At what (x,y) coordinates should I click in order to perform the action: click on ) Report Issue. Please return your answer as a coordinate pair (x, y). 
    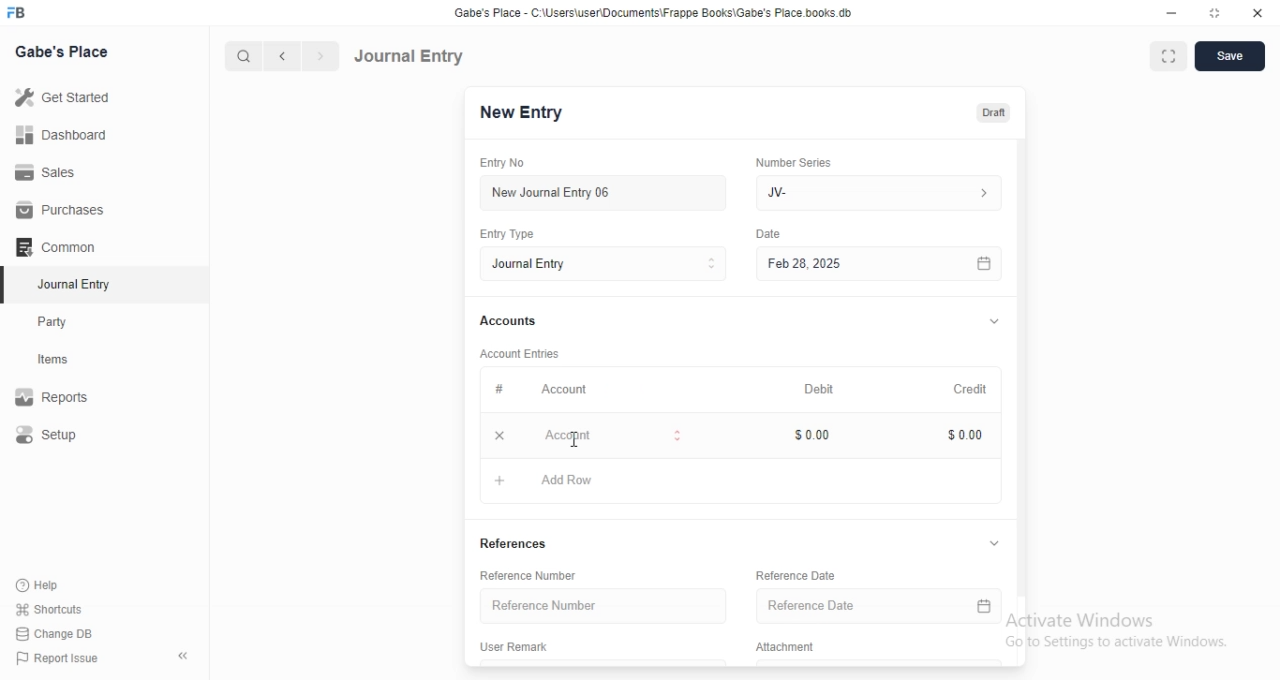
    Looking at the image, I should click on (59, 659).